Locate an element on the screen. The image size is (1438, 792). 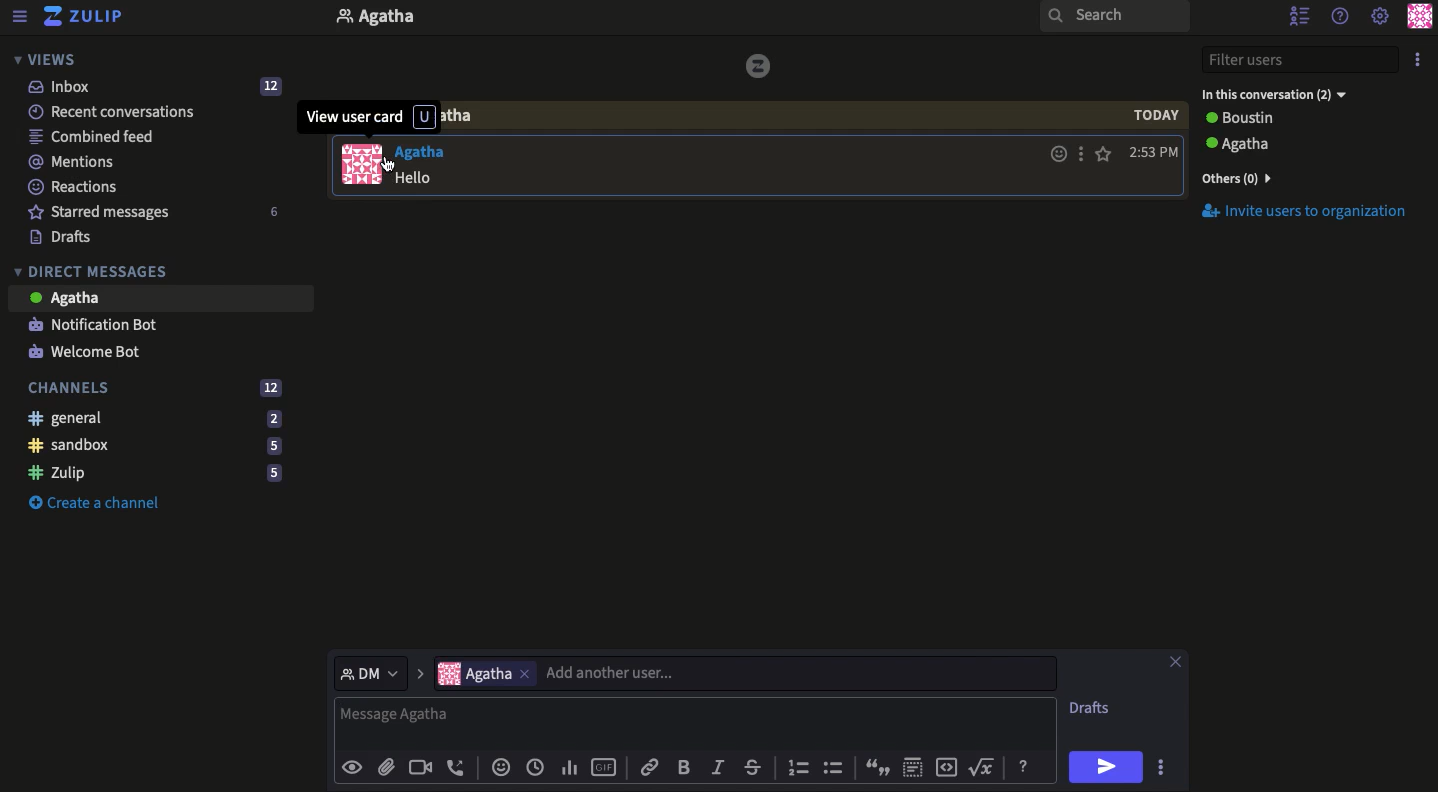
Inbox is located at coordinates (567, 18).